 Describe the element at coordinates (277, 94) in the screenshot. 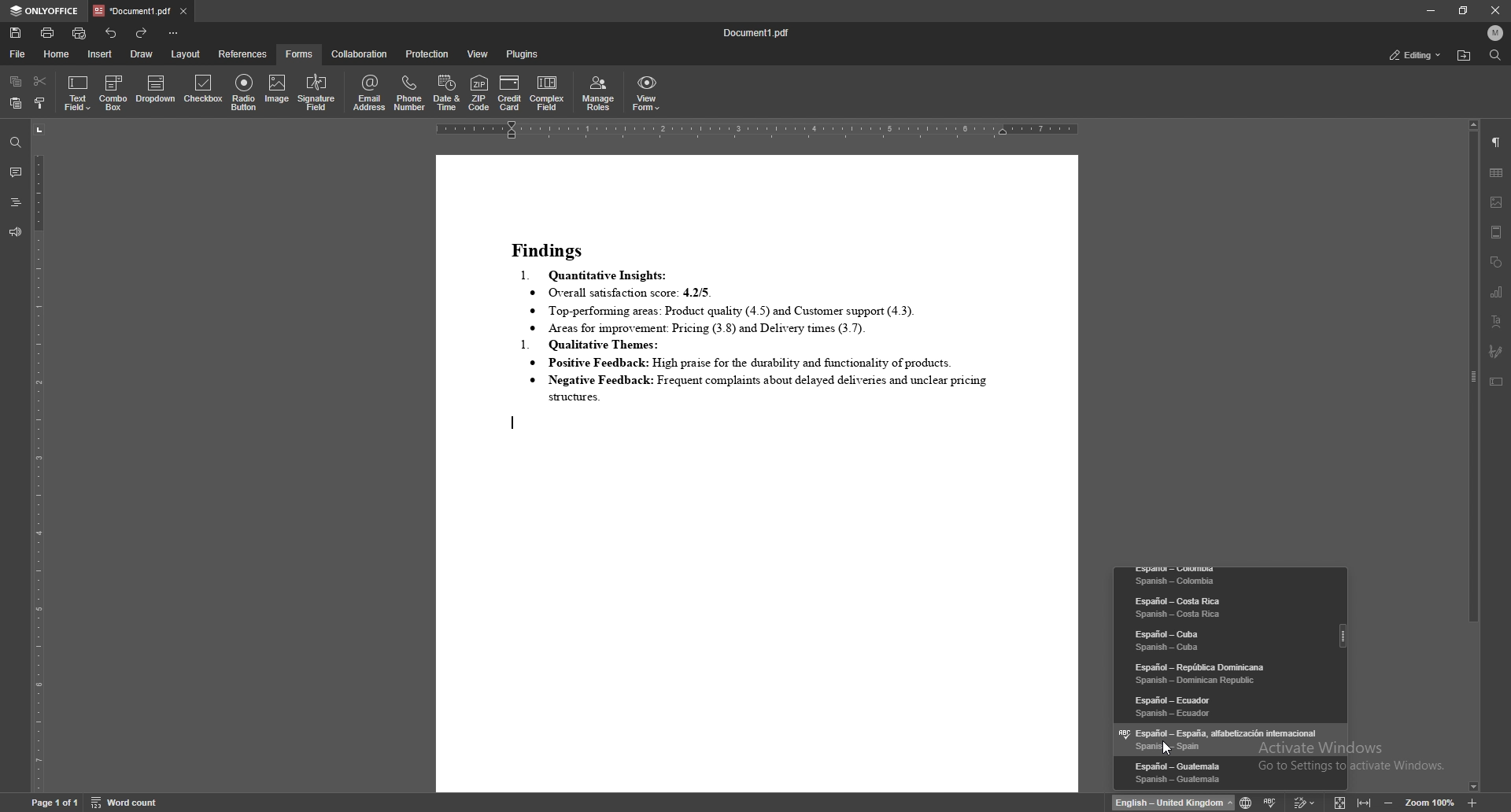

I see `image` at that location.